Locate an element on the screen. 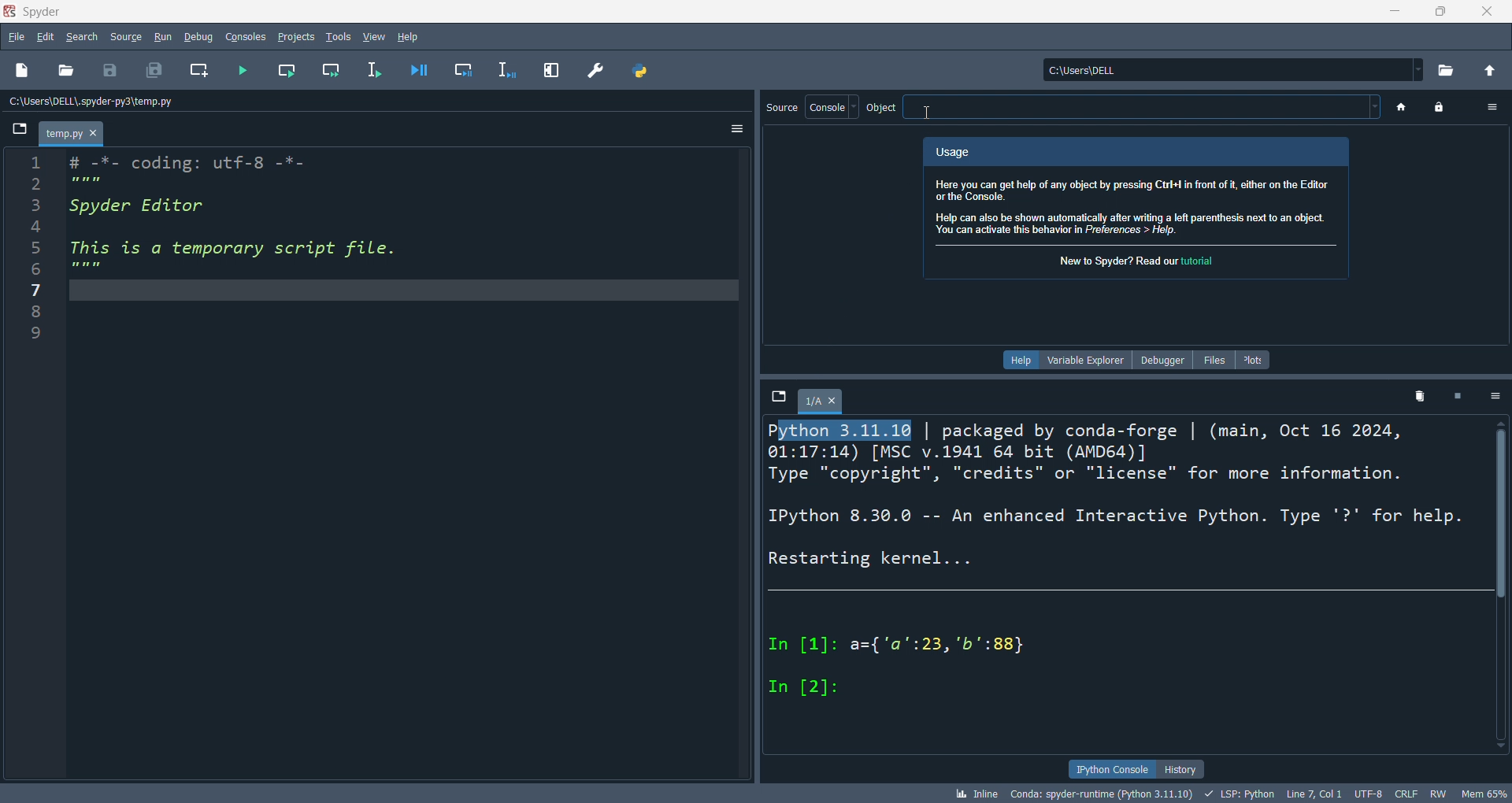  lock is located at coordinates (1435, 108).